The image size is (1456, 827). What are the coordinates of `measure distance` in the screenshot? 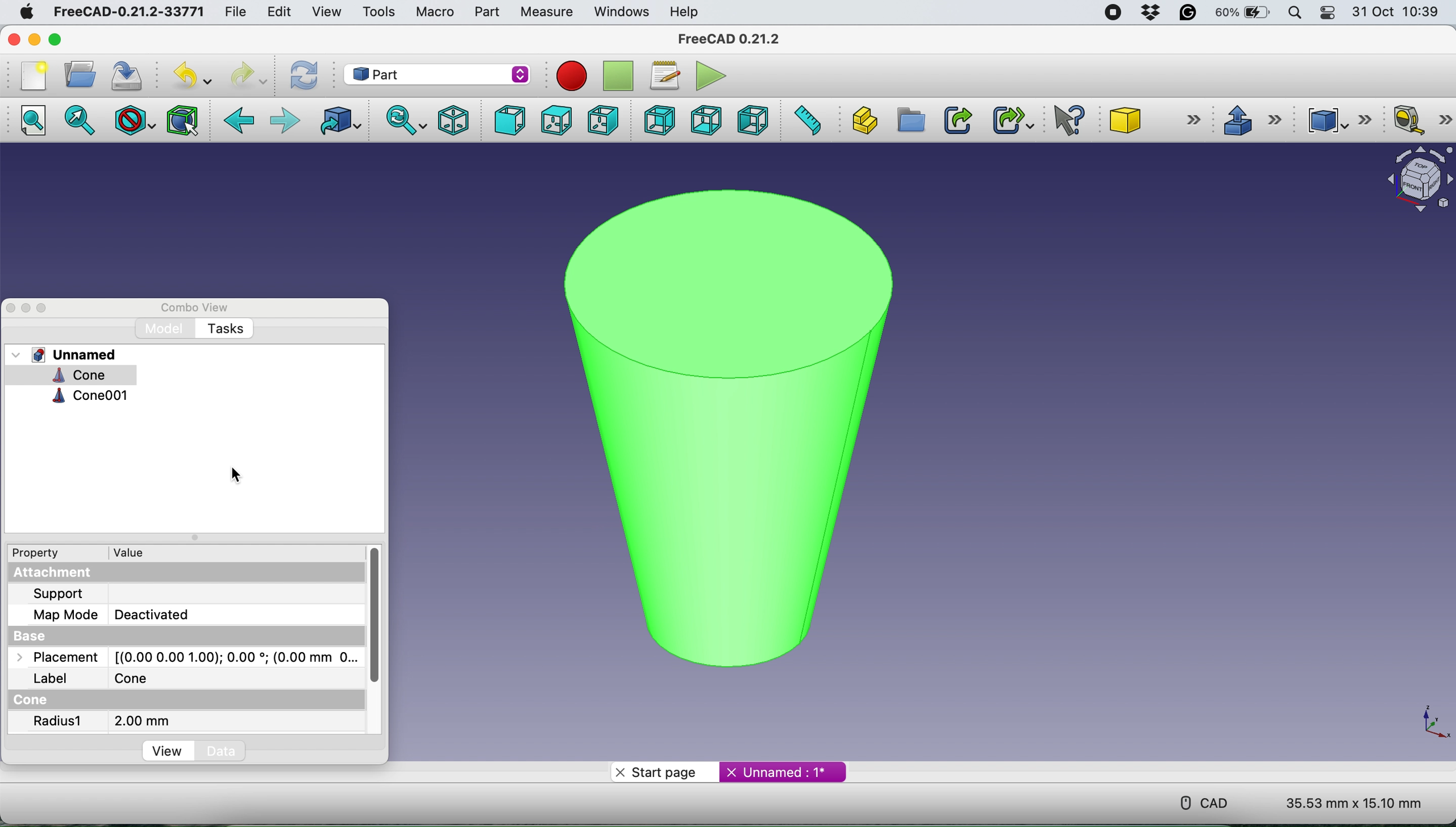 It's located at (808, 121).